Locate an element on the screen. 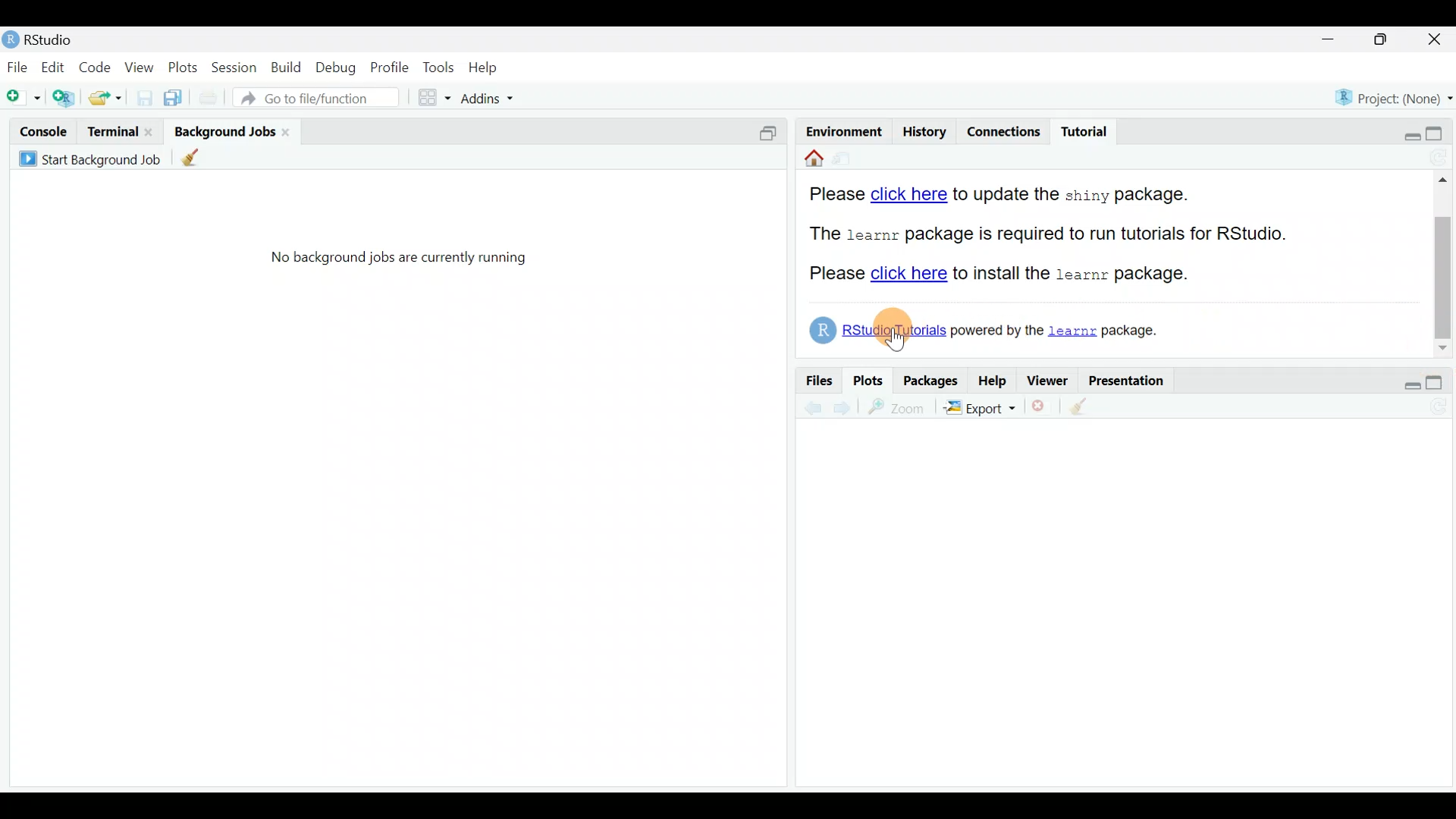 This screenshot has height=819, width=1456. click here is located at coordinates (908, 278).